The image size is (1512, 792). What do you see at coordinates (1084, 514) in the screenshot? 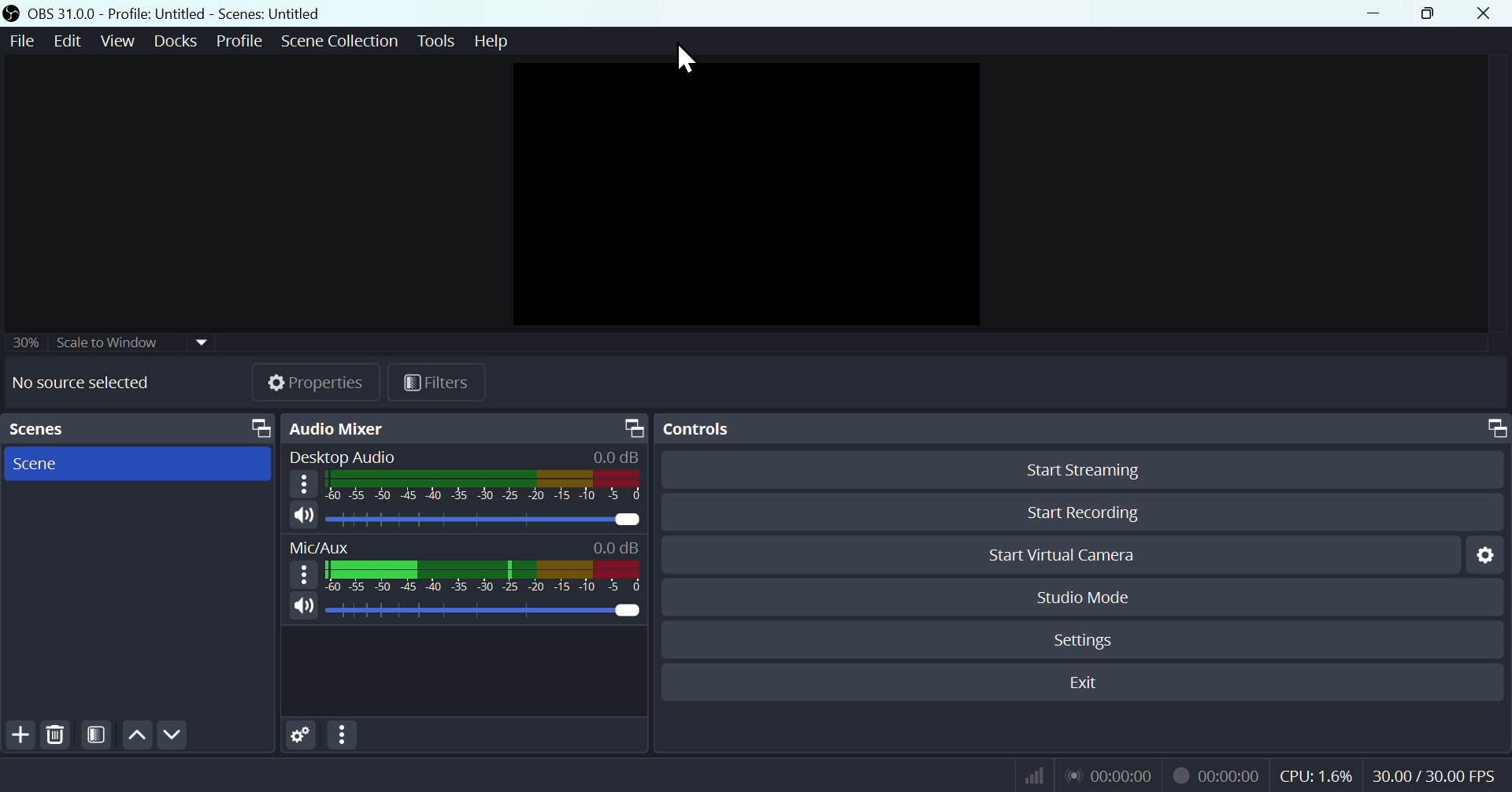
I see `Start recording` at bounding box center [1084, 514].